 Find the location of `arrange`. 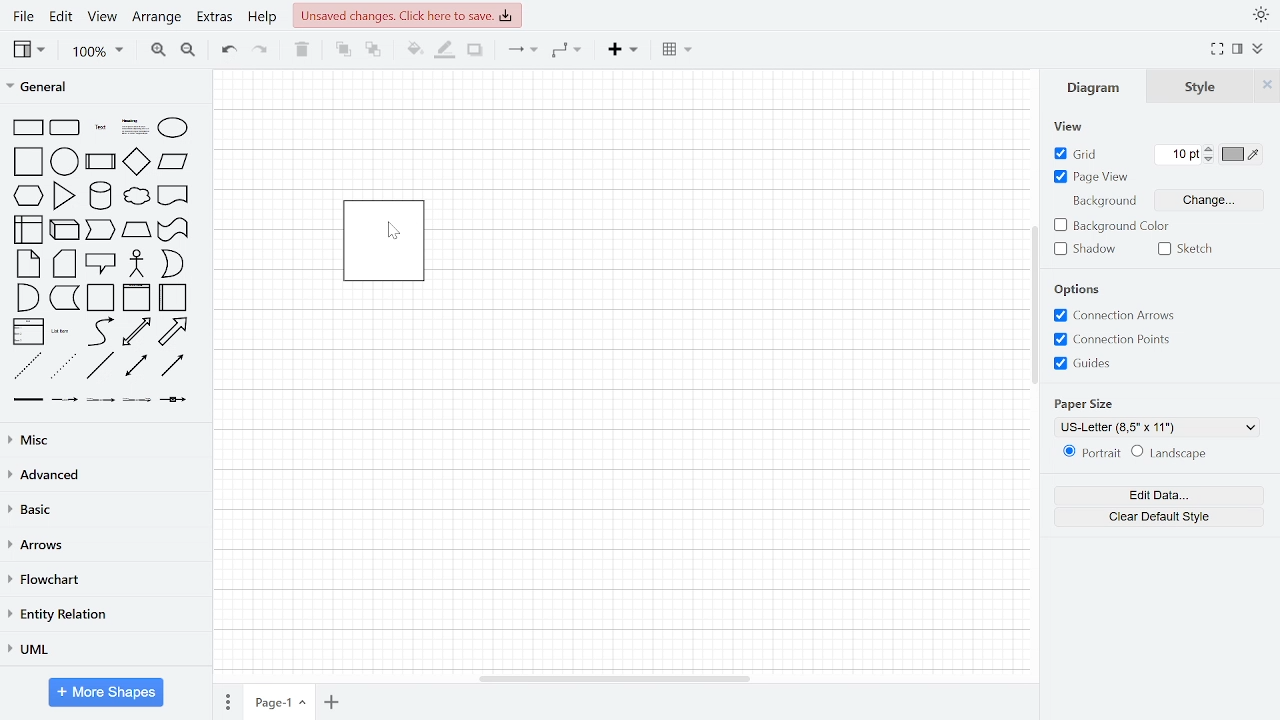

arrange is located at coordinates (158, 20).